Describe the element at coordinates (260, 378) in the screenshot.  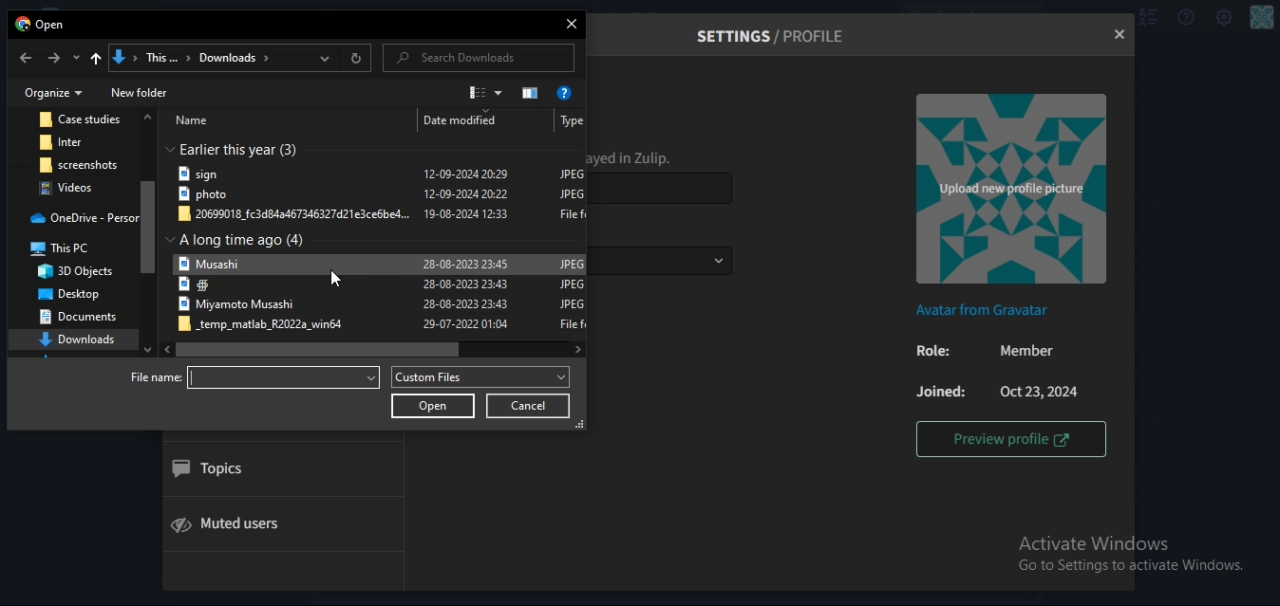
I see `filename` at that location.